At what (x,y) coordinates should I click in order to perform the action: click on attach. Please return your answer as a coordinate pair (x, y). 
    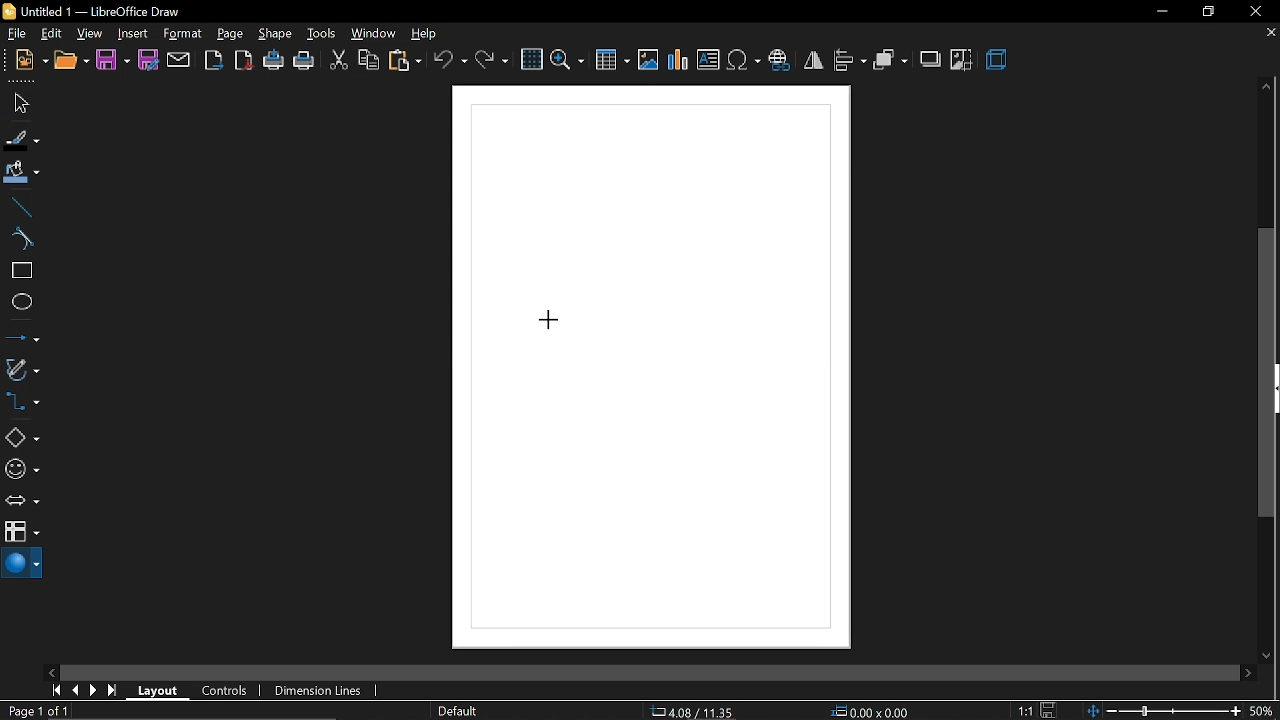
    Looking at the image, I should click on (179, 61).